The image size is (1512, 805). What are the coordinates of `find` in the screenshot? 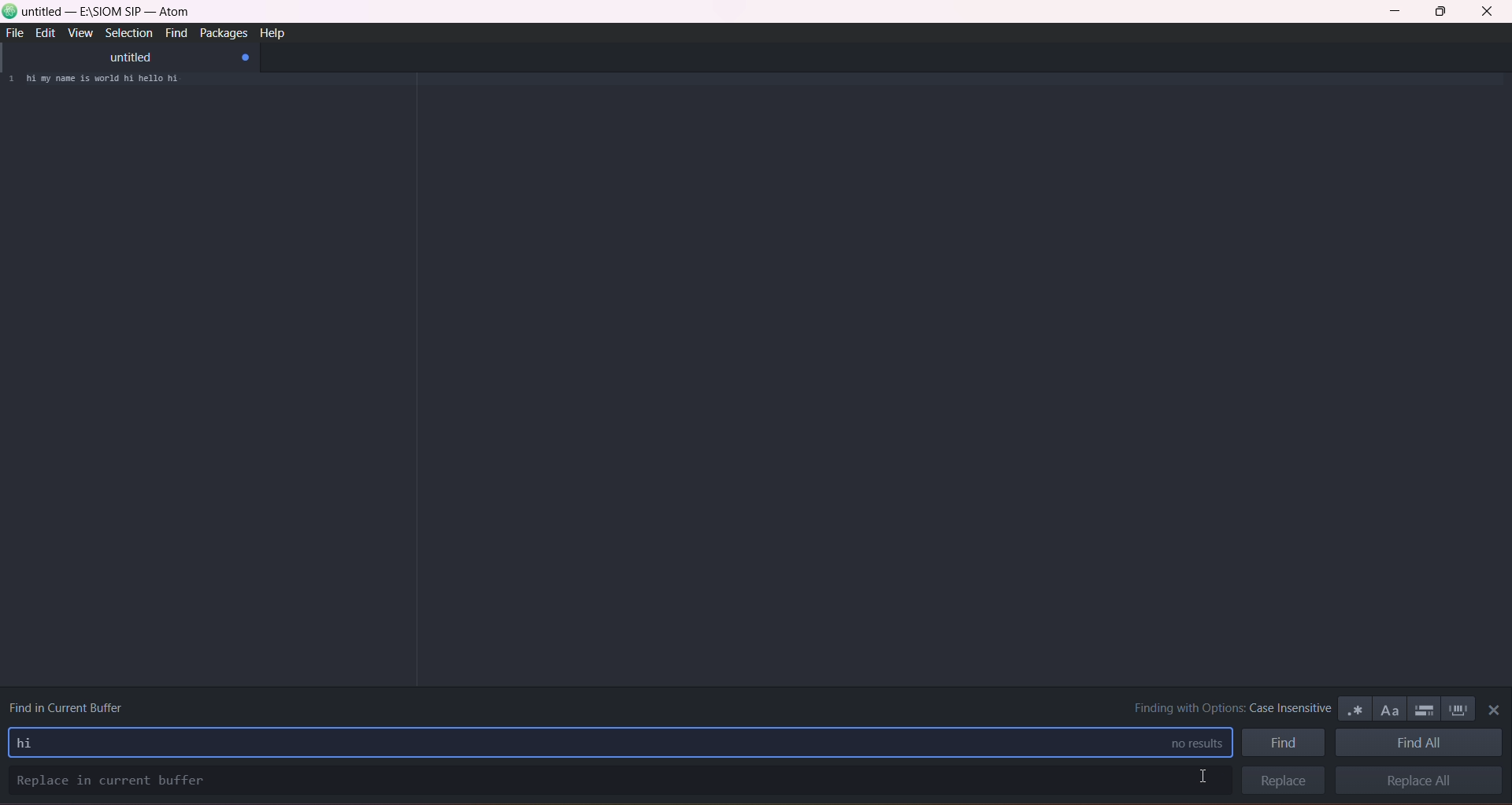 It's located at (1284, 742).